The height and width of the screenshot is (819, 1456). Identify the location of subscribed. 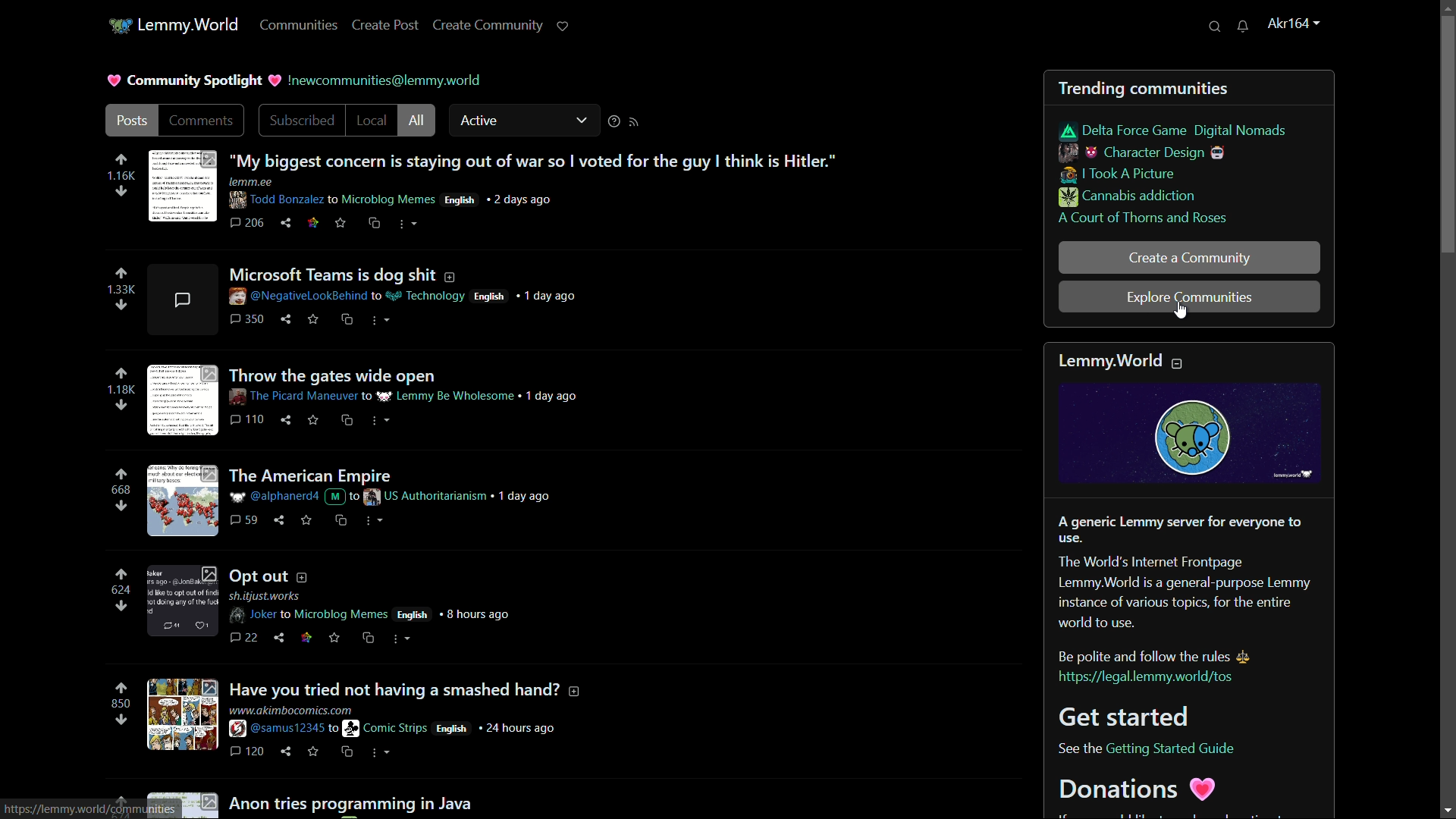
(302, 121).